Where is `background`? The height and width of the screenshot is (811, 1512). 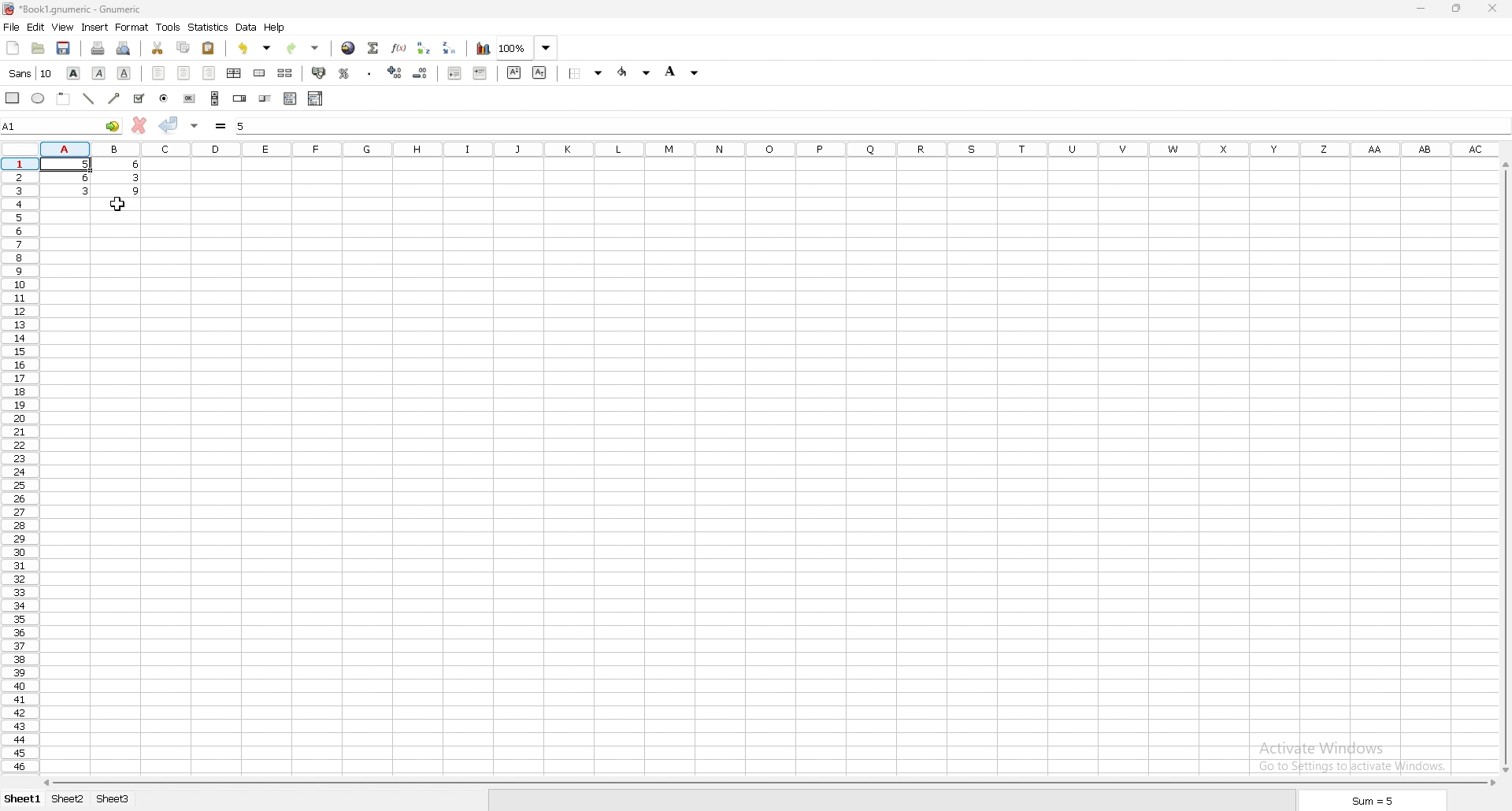 background is located at coordinates (635, 72).